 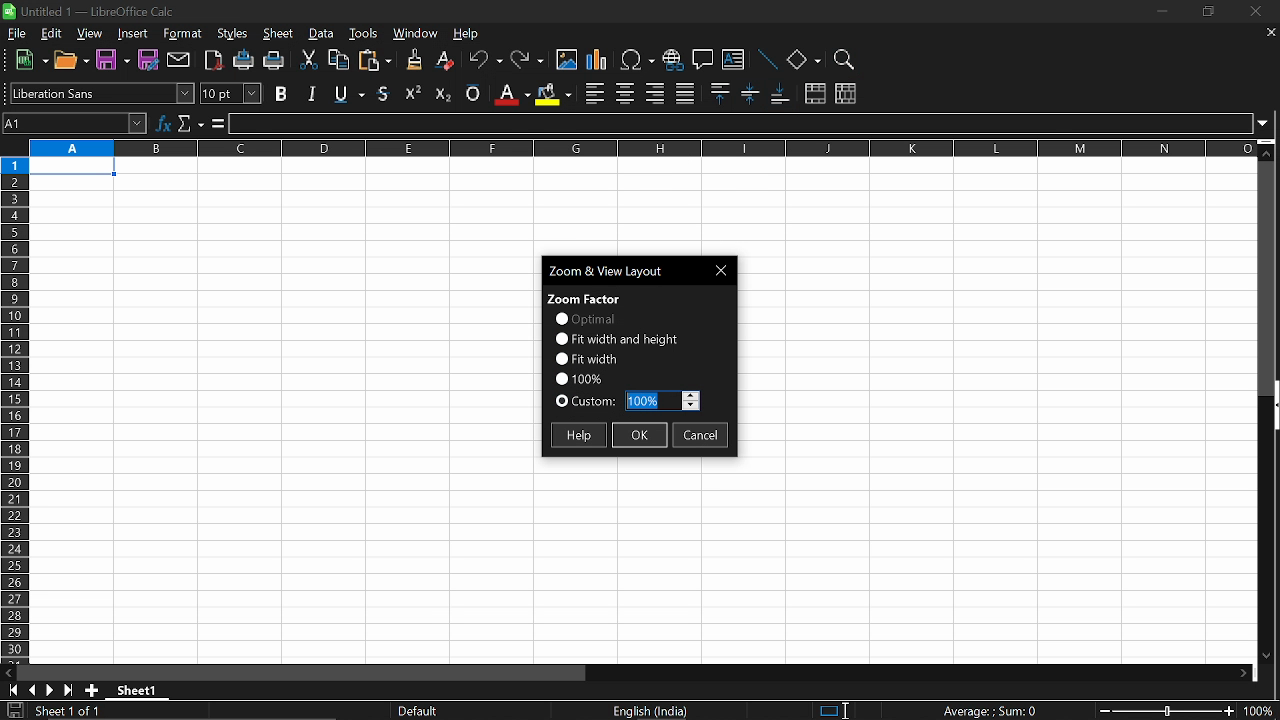 What do you see at coordinates (655, 93) in the screenshot?
I see `align right` at bounding box center [655, 93].